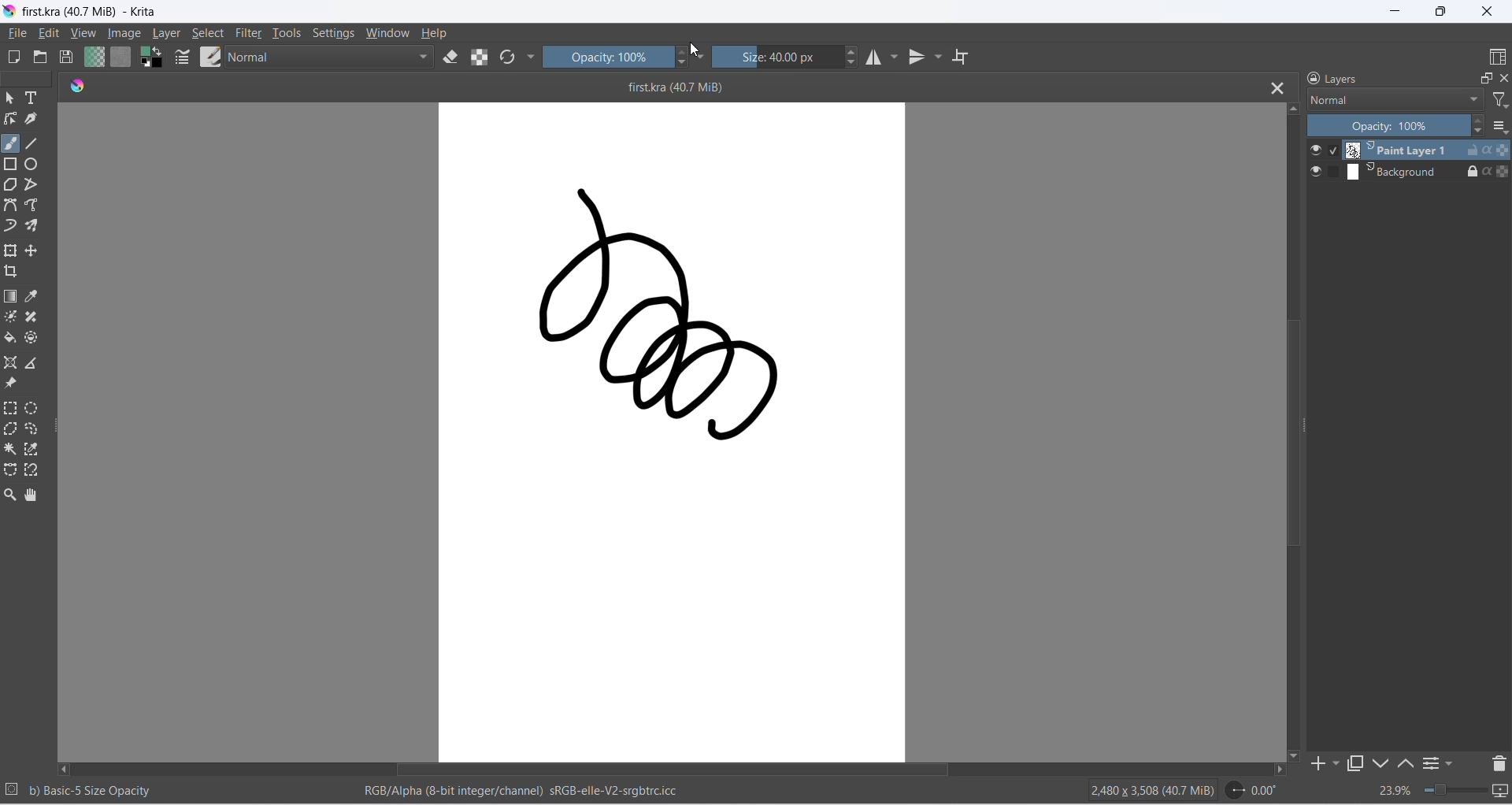 The height and width of the screenshot is (805, 1512). What do you see at coordinates (31, 98) in the screenshot?
I see `text` at bounding box center [31, 98].